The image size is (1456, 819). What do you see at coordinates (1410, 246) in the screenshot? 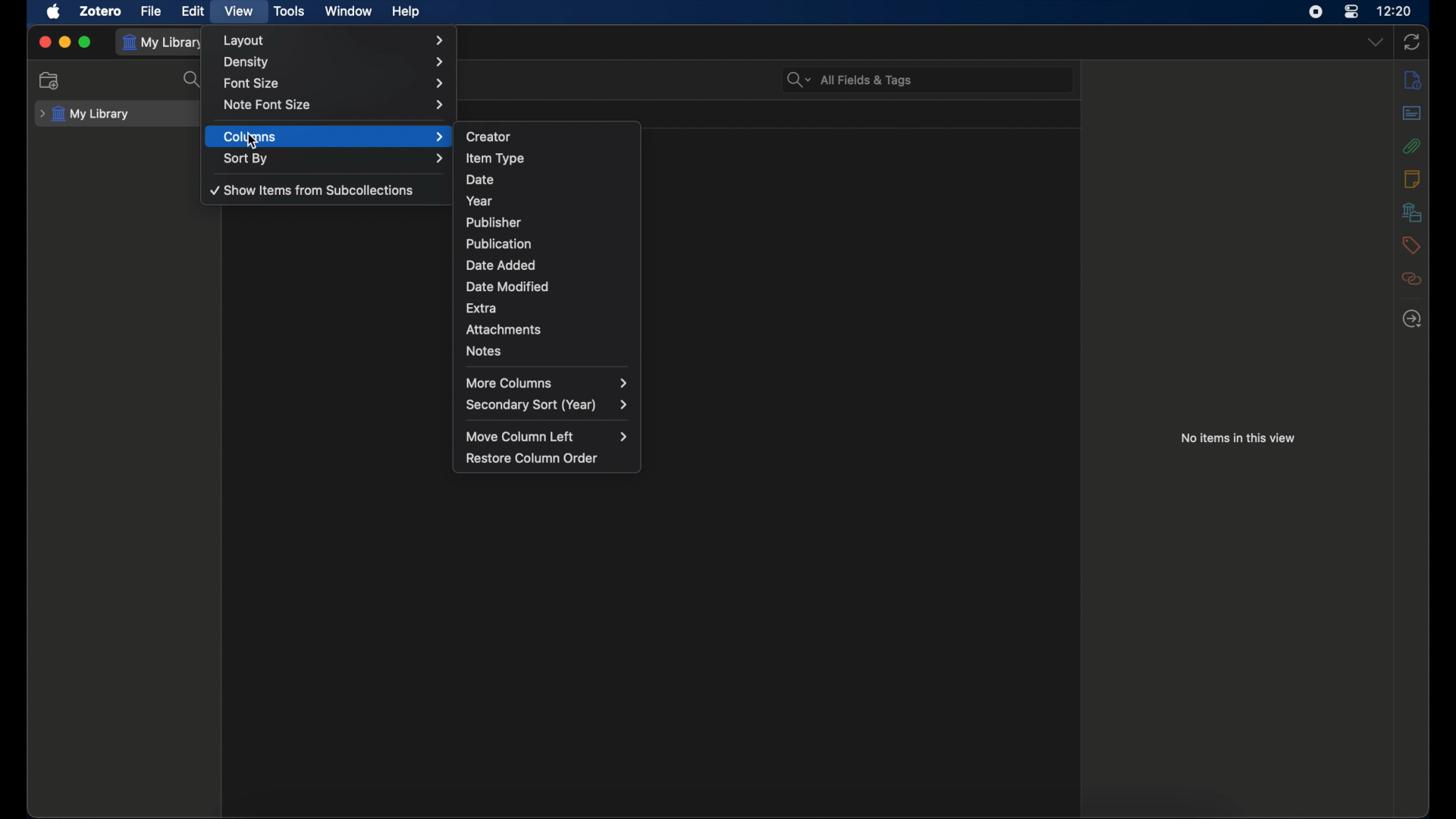
I see `tags` at bounding box center [1410, 246].